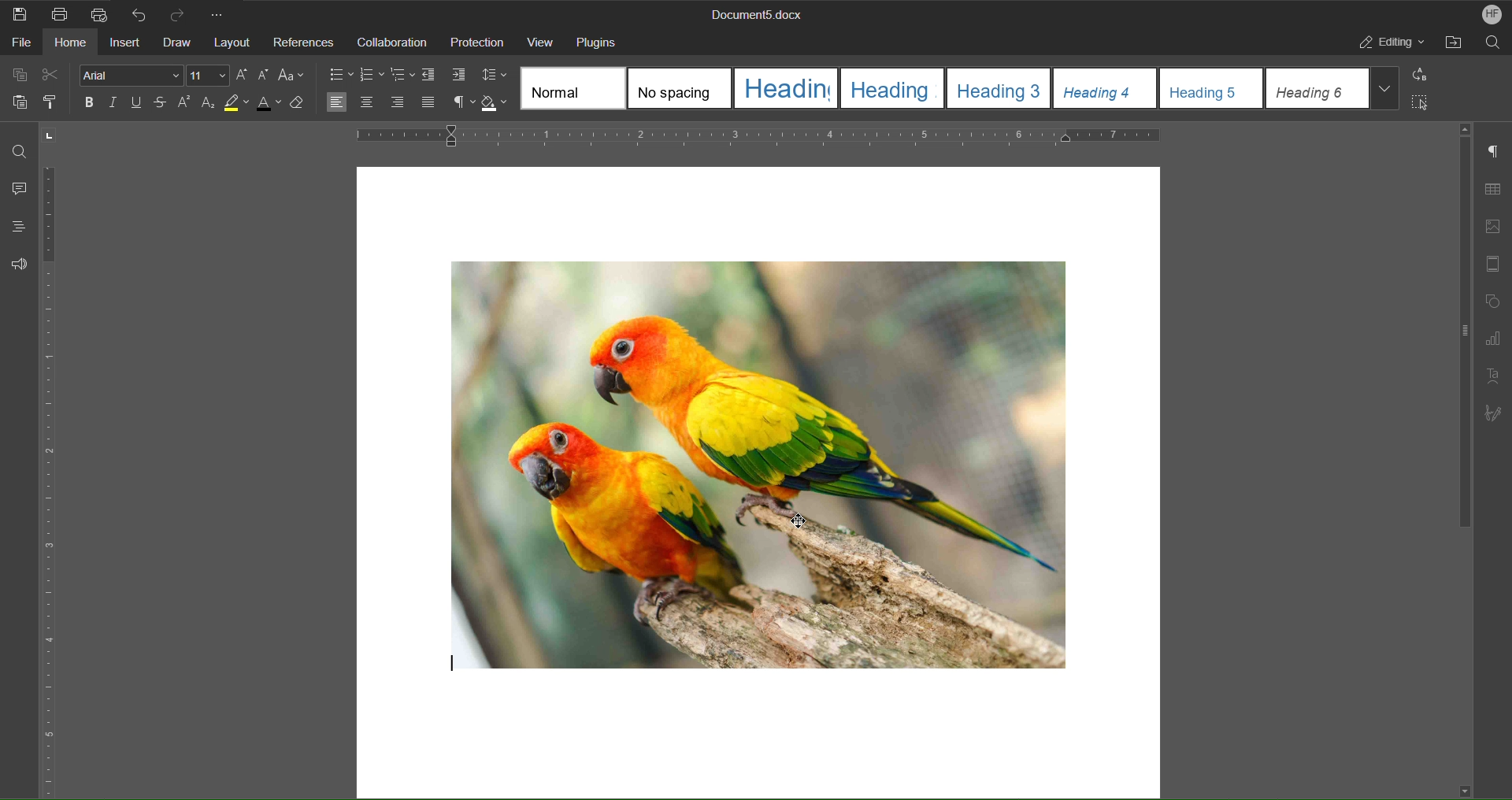  I want to click on View, so click(540, 41).